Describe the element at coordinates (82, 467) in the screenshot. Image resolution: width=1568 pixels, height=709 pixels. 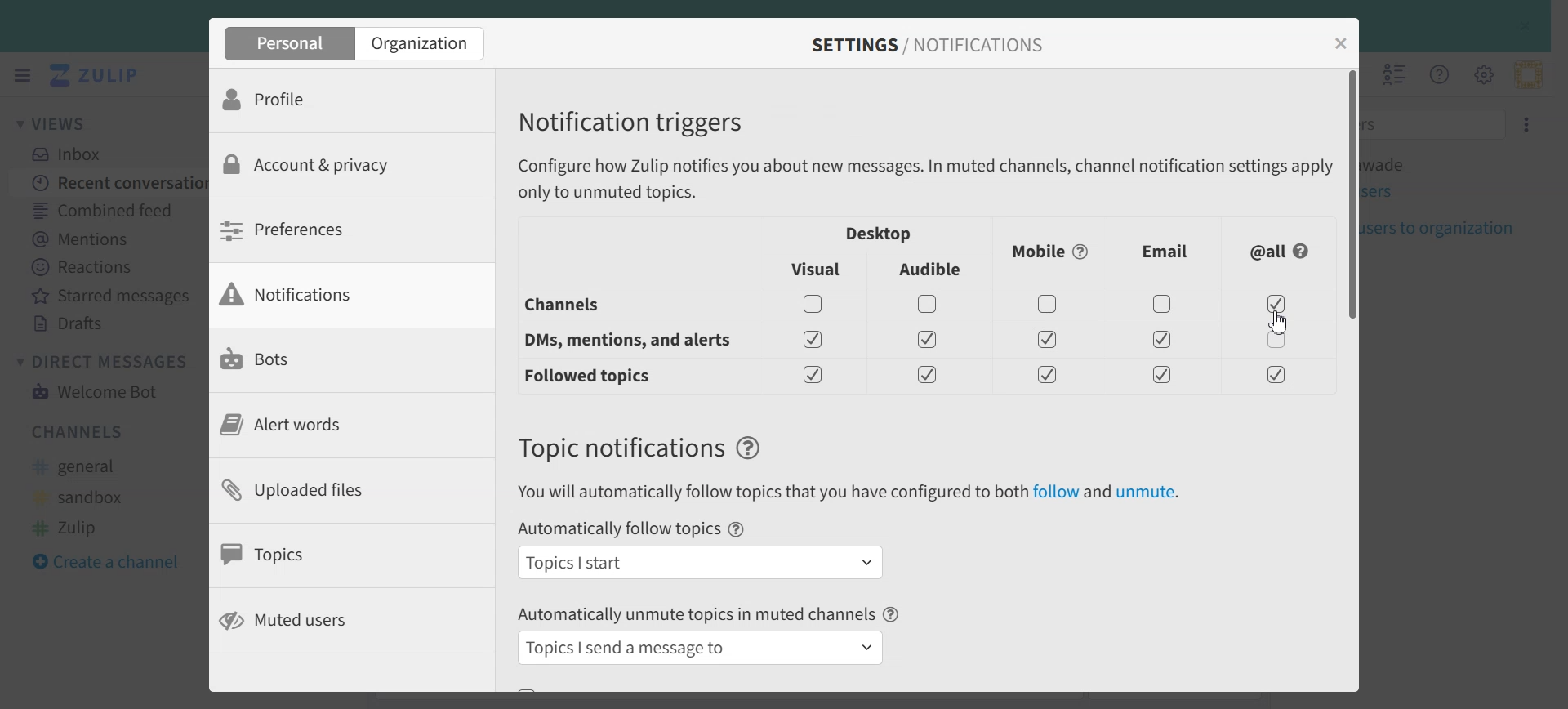
I see `#general` at that location.